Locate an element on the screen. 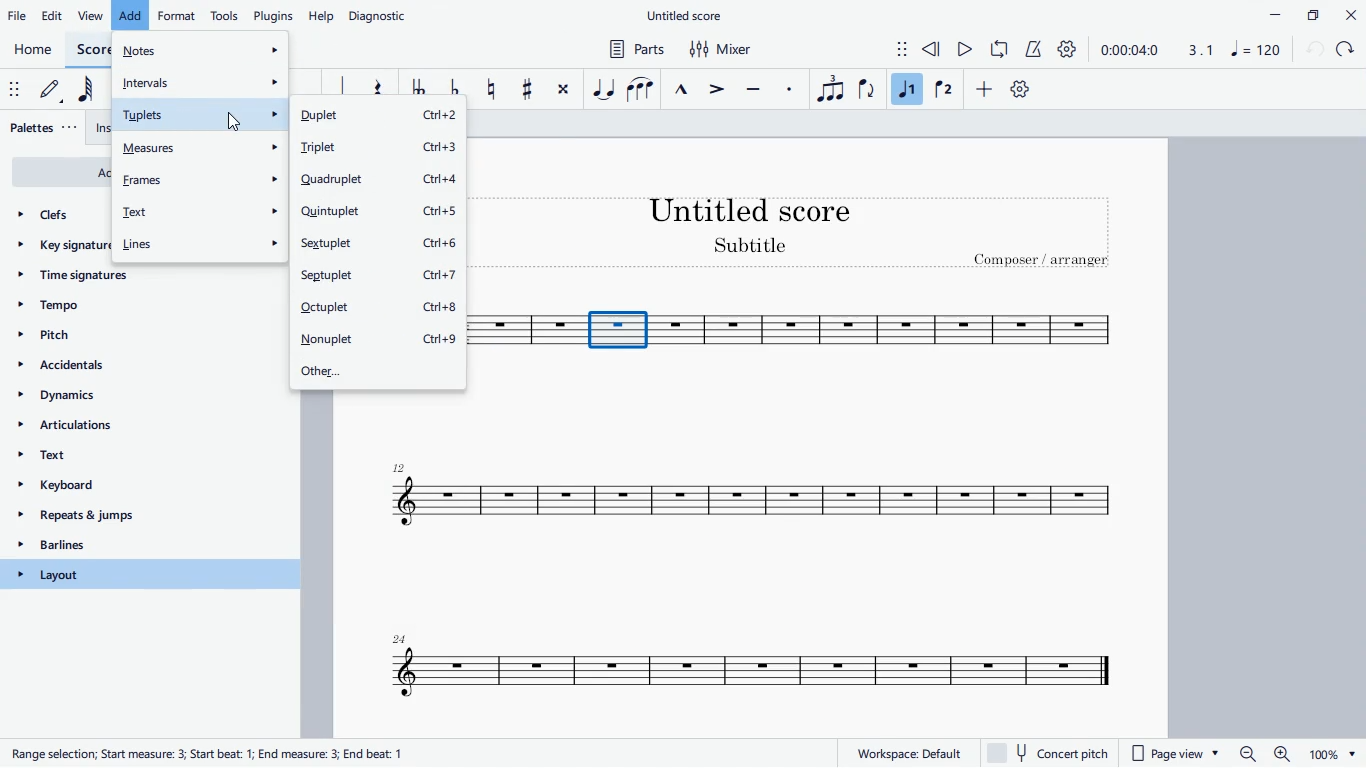 The width and height of the screenshot is (1366, 768). sextuplet is located at coordinates (381, 247).